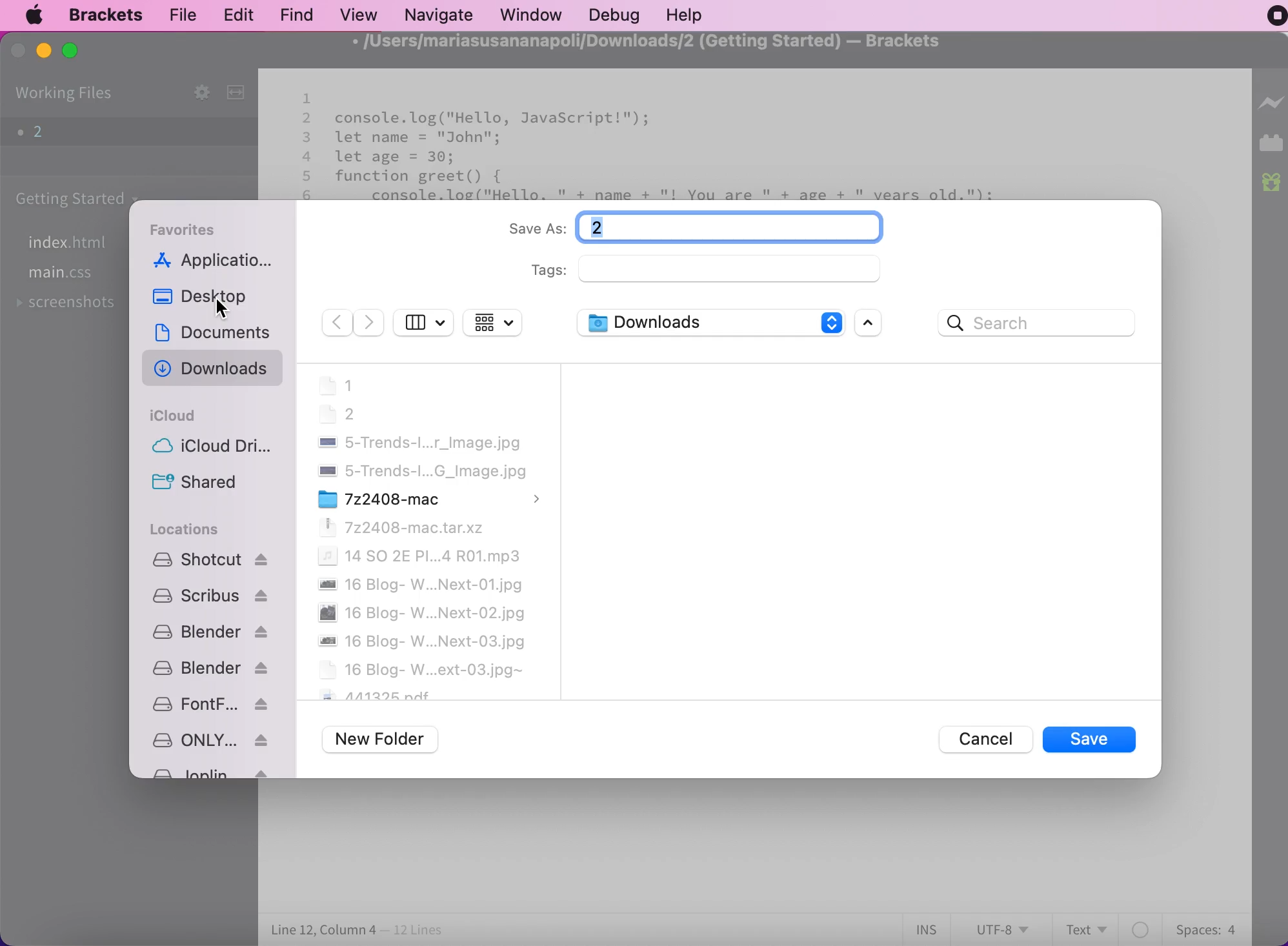 The width and height of the screenshot is (1288, 946). What do you see at coordinates (1090, 739) in the screenshot?
I see `save` at bounding box center [1090, 739].